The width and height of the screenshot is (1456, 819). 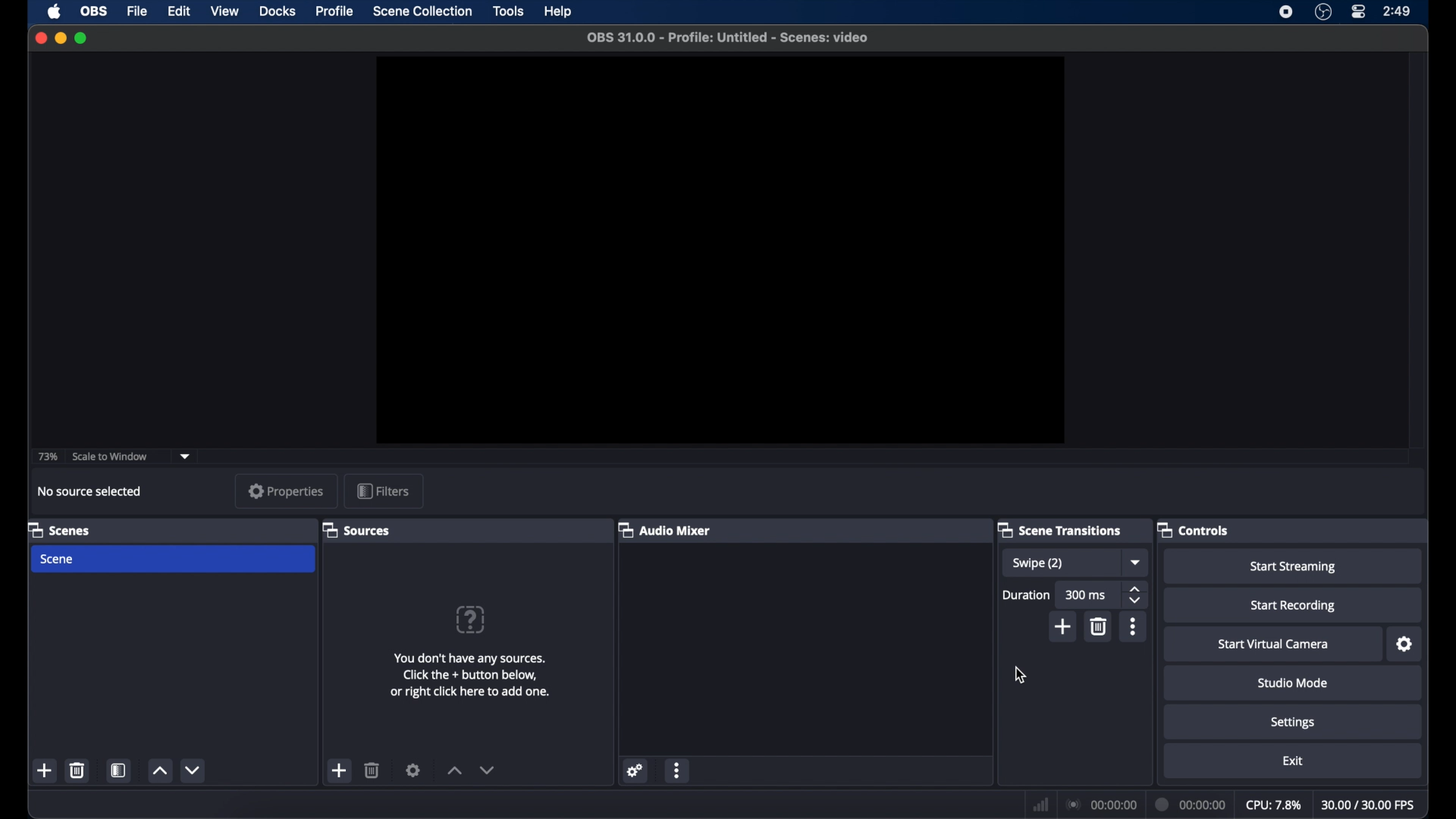 What do you see at coordinates (1398, 11) in the screenshot?
I see `time` at bounding box center [1398, 11].